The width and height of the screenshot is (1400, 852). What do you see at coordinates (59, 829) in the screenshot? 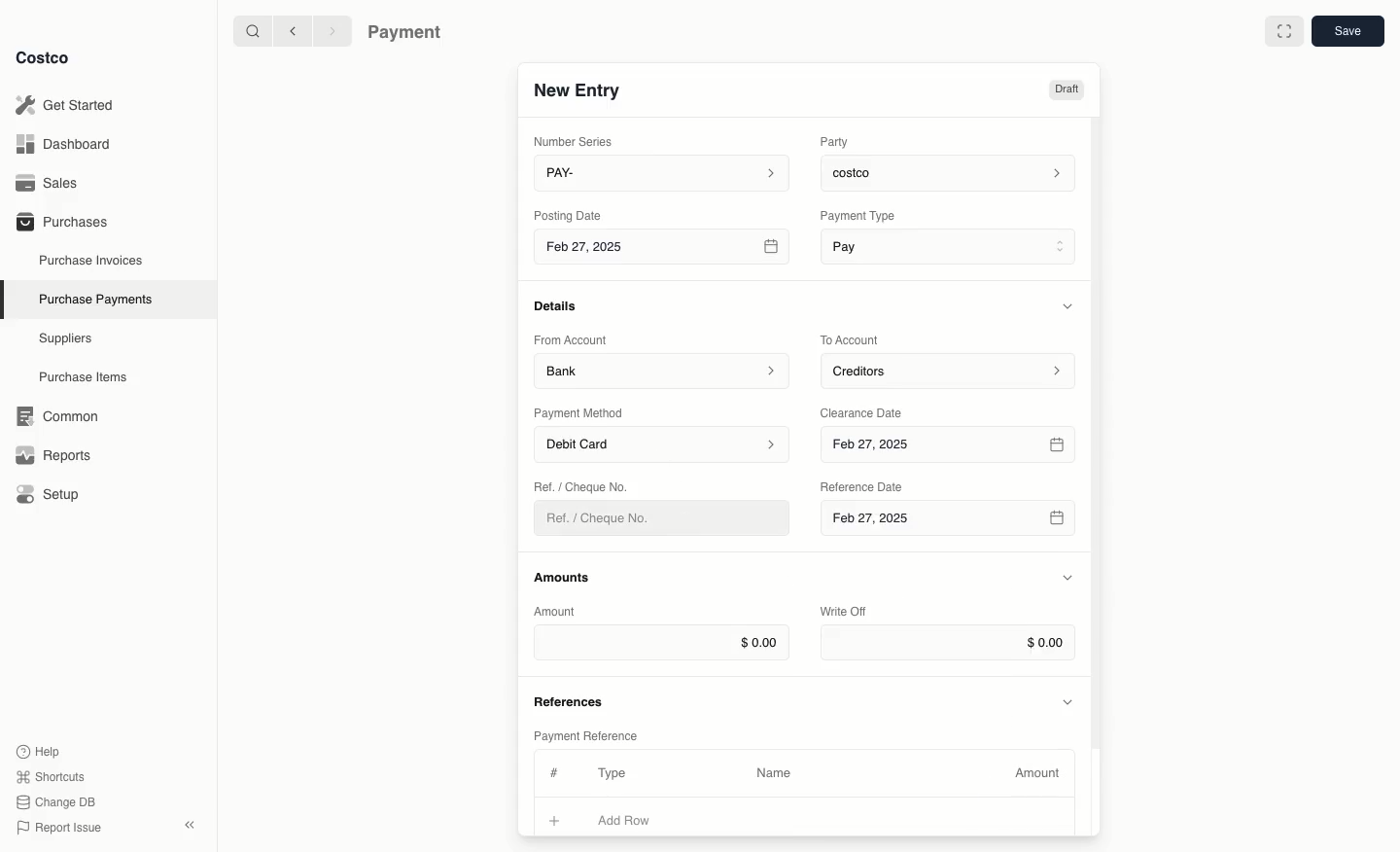
I see `Report Issue` at bounding box center [59, 829].